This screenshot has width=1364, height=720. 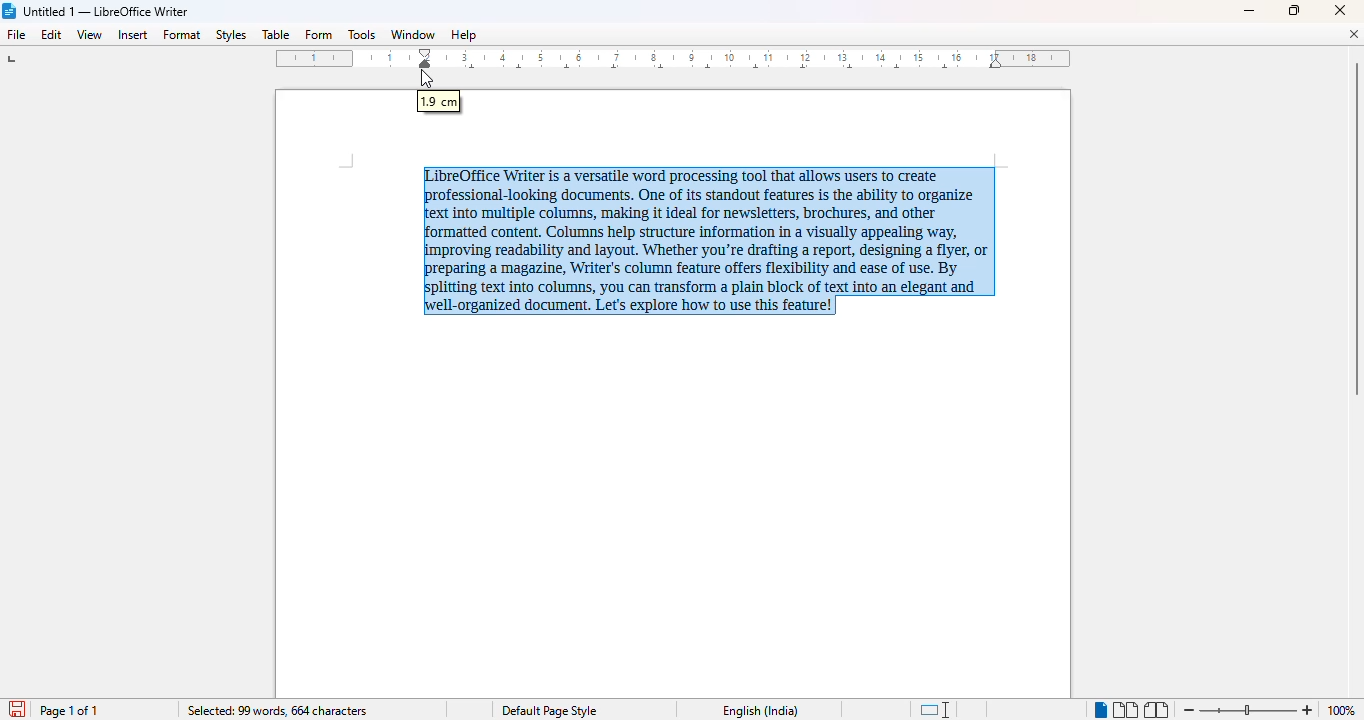 I want to click on multi-page view, so click(x=1126, y=710).